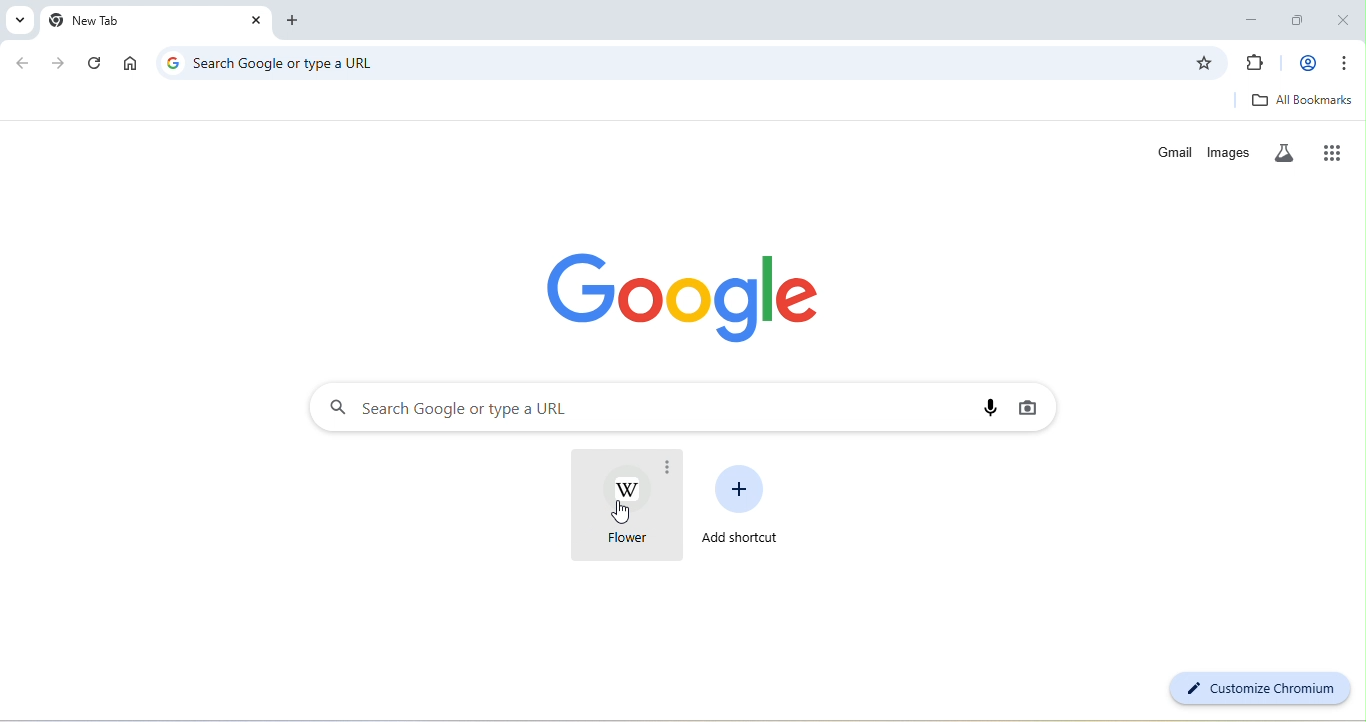 The height and width of the screenshot is (722, 1366). Describe the element at coordinates (1257, 689) in the screenshot. I see `customize chromium` at that location.